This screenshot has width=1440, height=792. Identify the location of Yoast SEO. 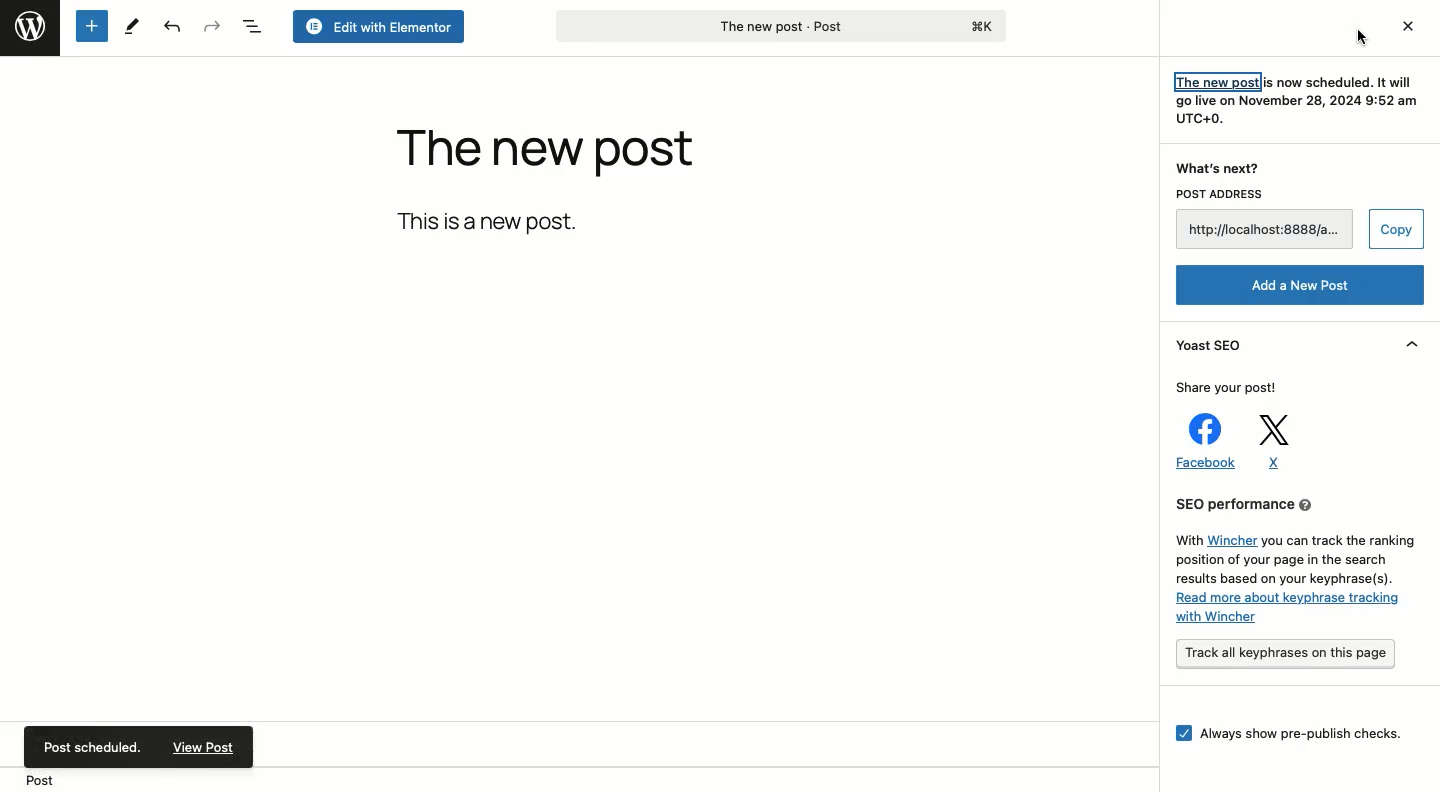
(1210, 344).